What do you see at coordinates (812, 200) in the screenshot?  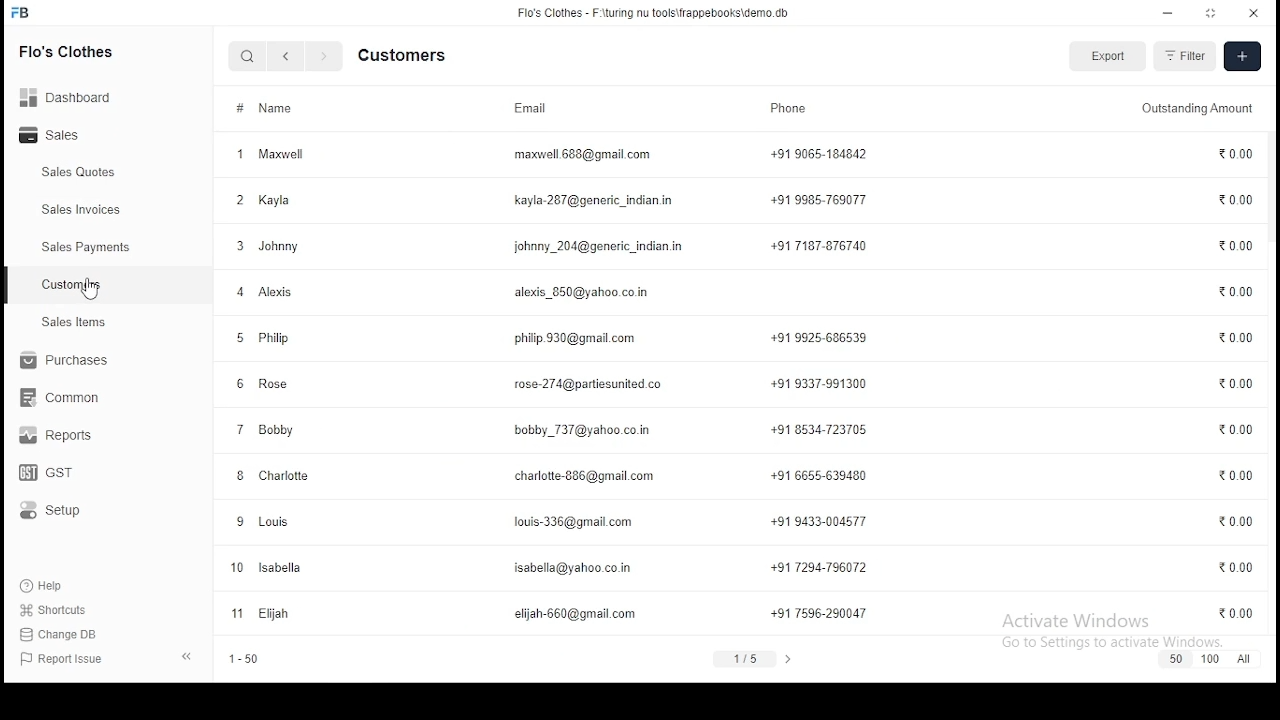 I see `+91 9985-769077` at bounding box center [812, 200].